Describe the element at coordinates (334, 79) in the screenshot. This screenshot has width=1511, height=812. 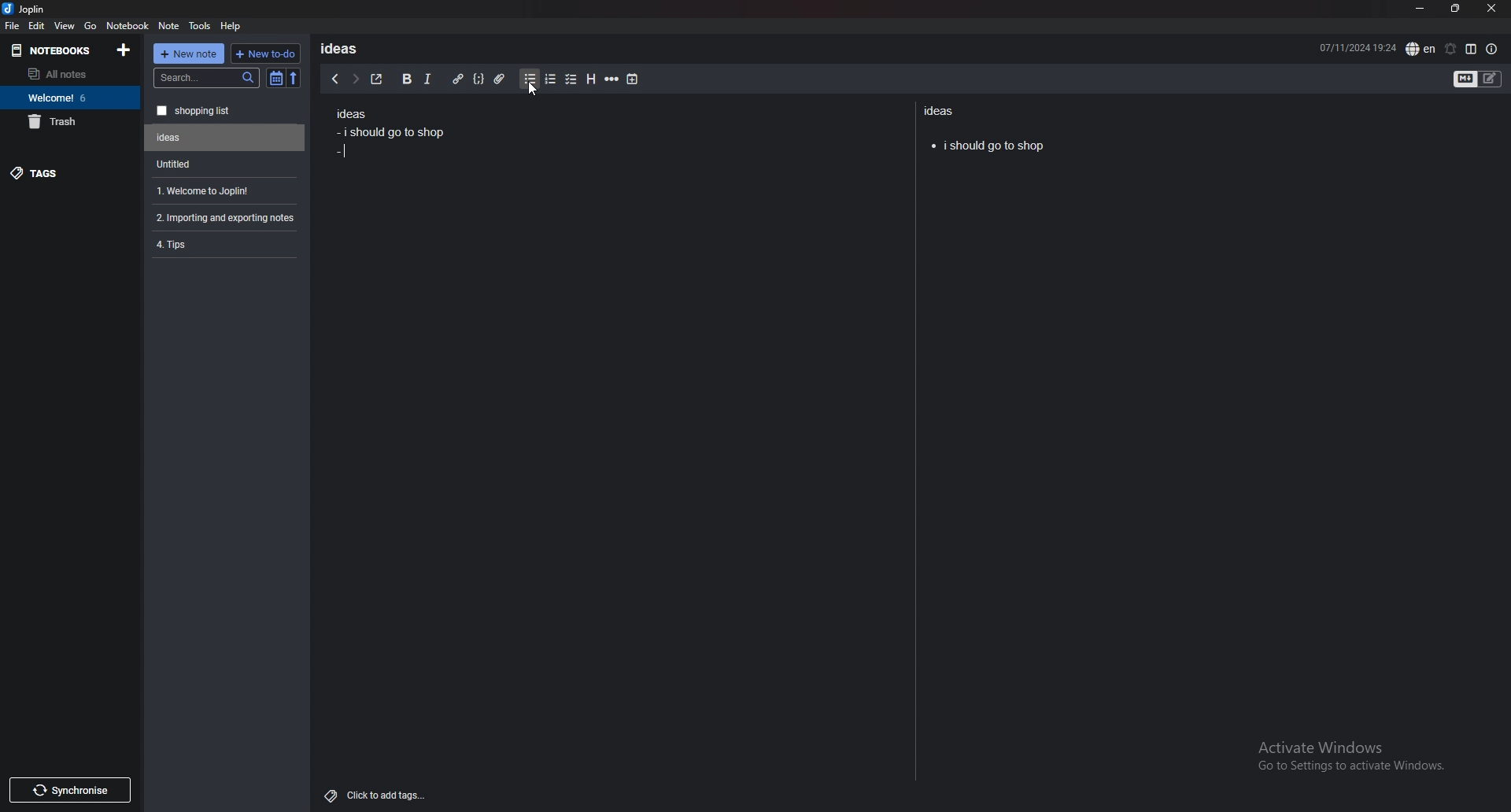
I see `previous` at that location.